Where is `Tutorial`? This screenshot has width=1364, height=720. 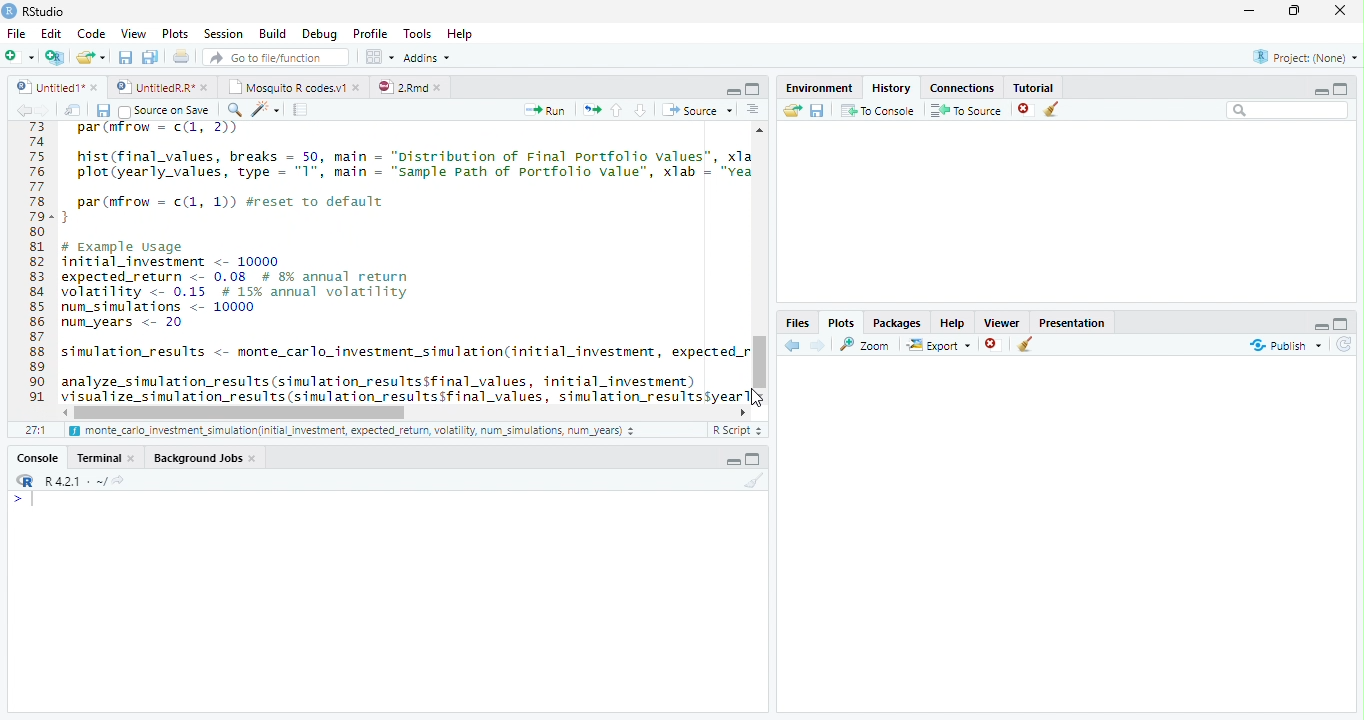 Tutorial is located at coordinates (1030, 85).